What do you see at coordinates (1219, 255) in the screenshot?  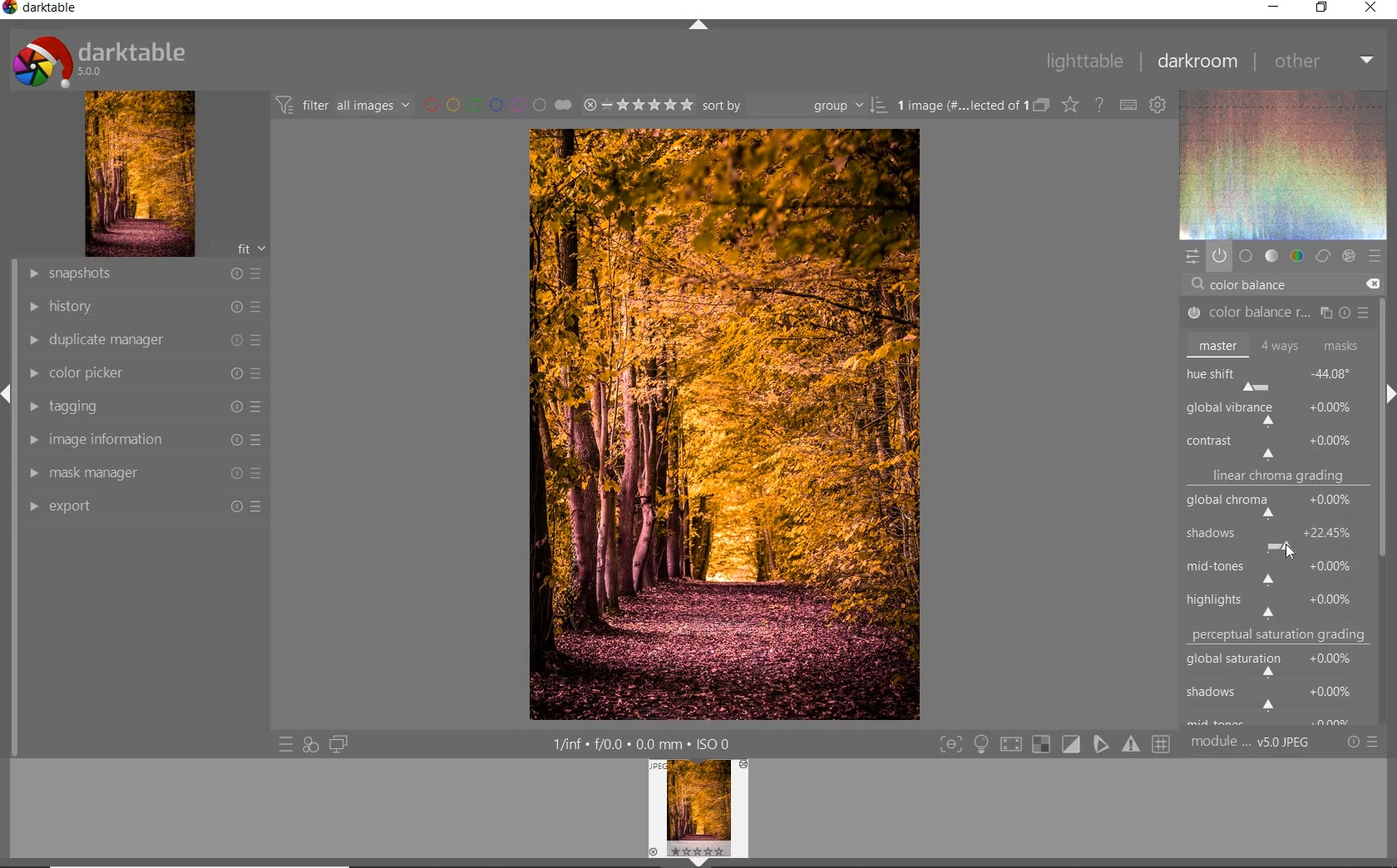 I see `show only active module` at bounding box center [1219, 255].